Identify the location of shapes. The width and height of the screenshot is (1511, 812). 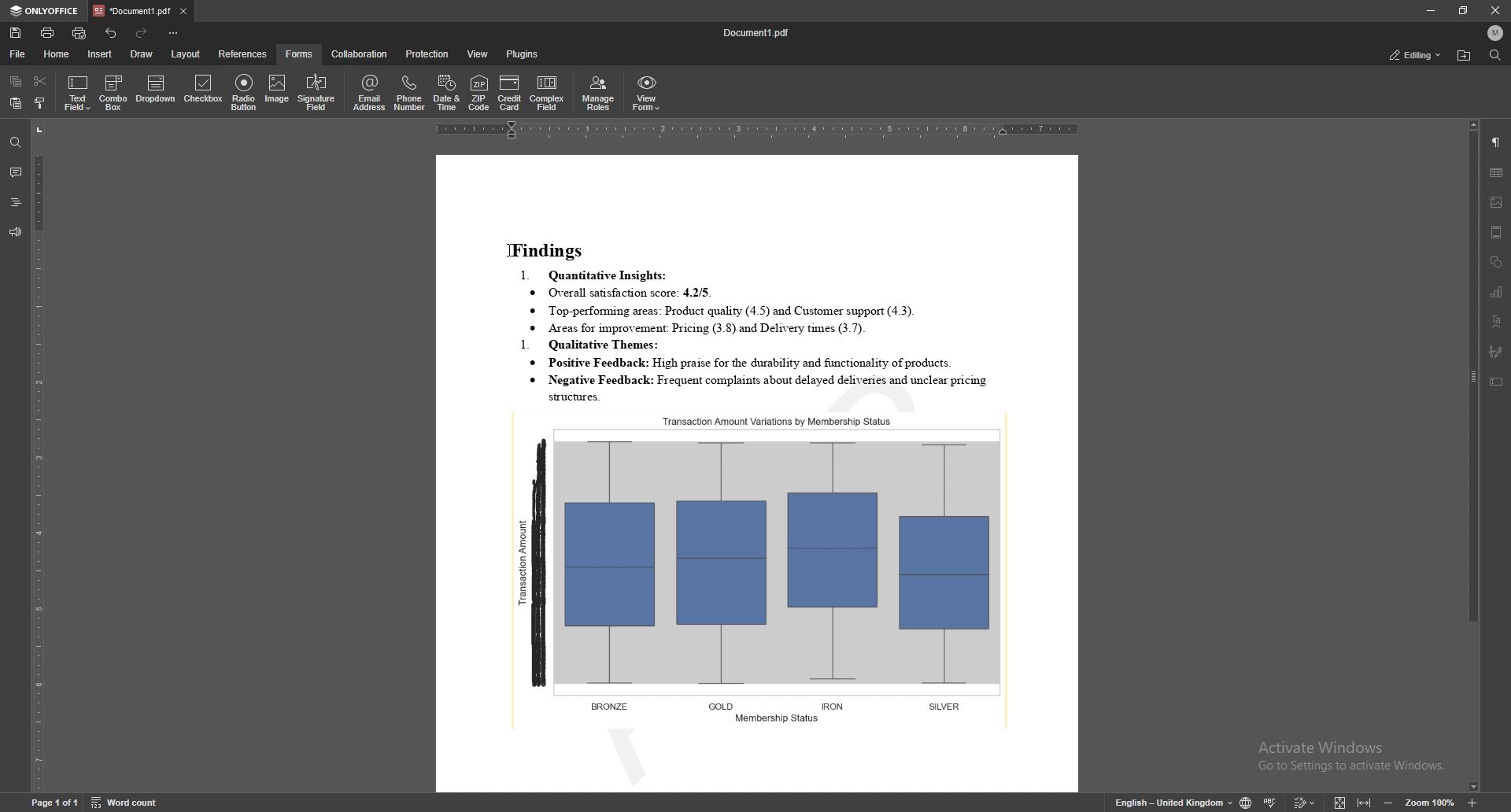
(1498, 263).